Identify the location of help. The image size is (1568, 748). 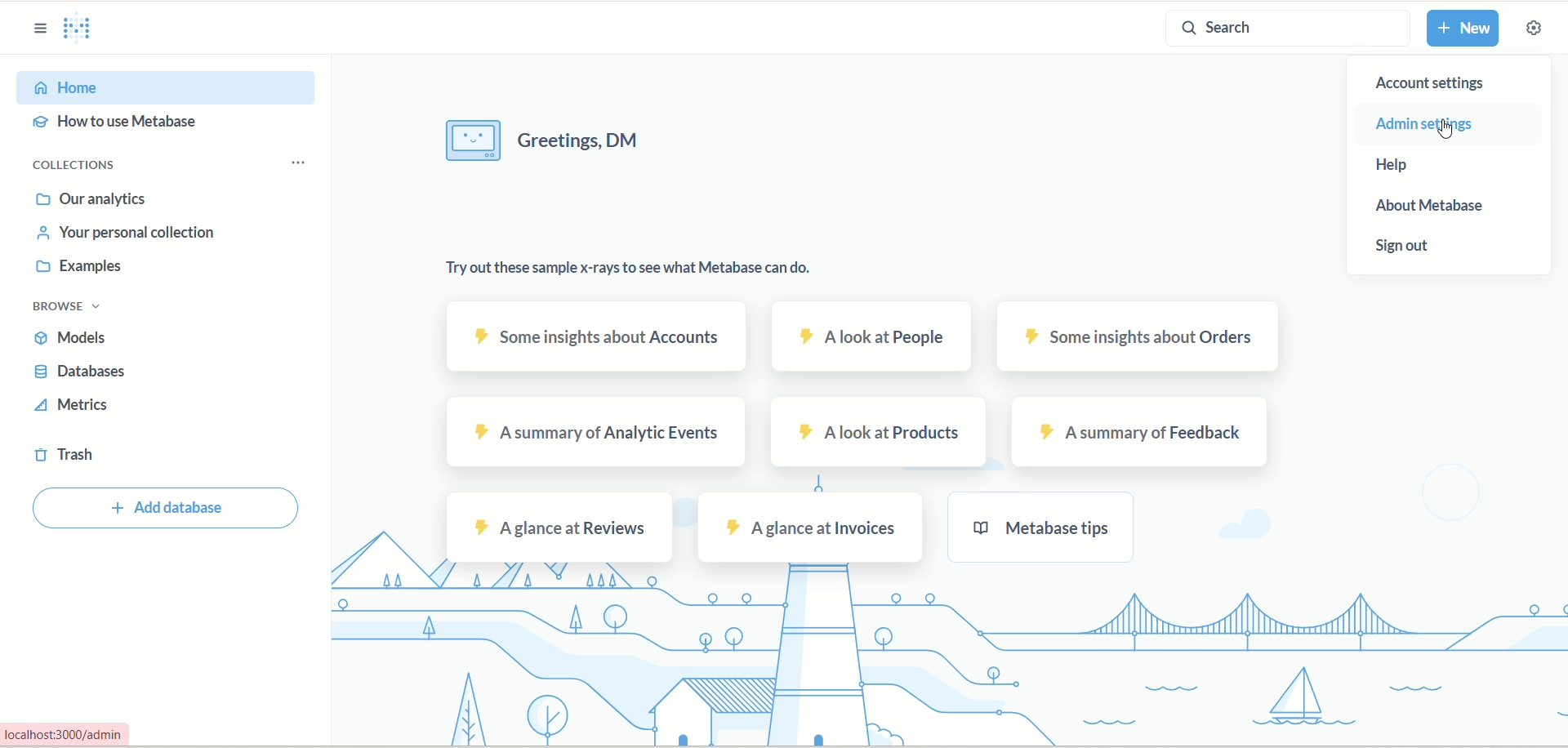
(1414, 162).